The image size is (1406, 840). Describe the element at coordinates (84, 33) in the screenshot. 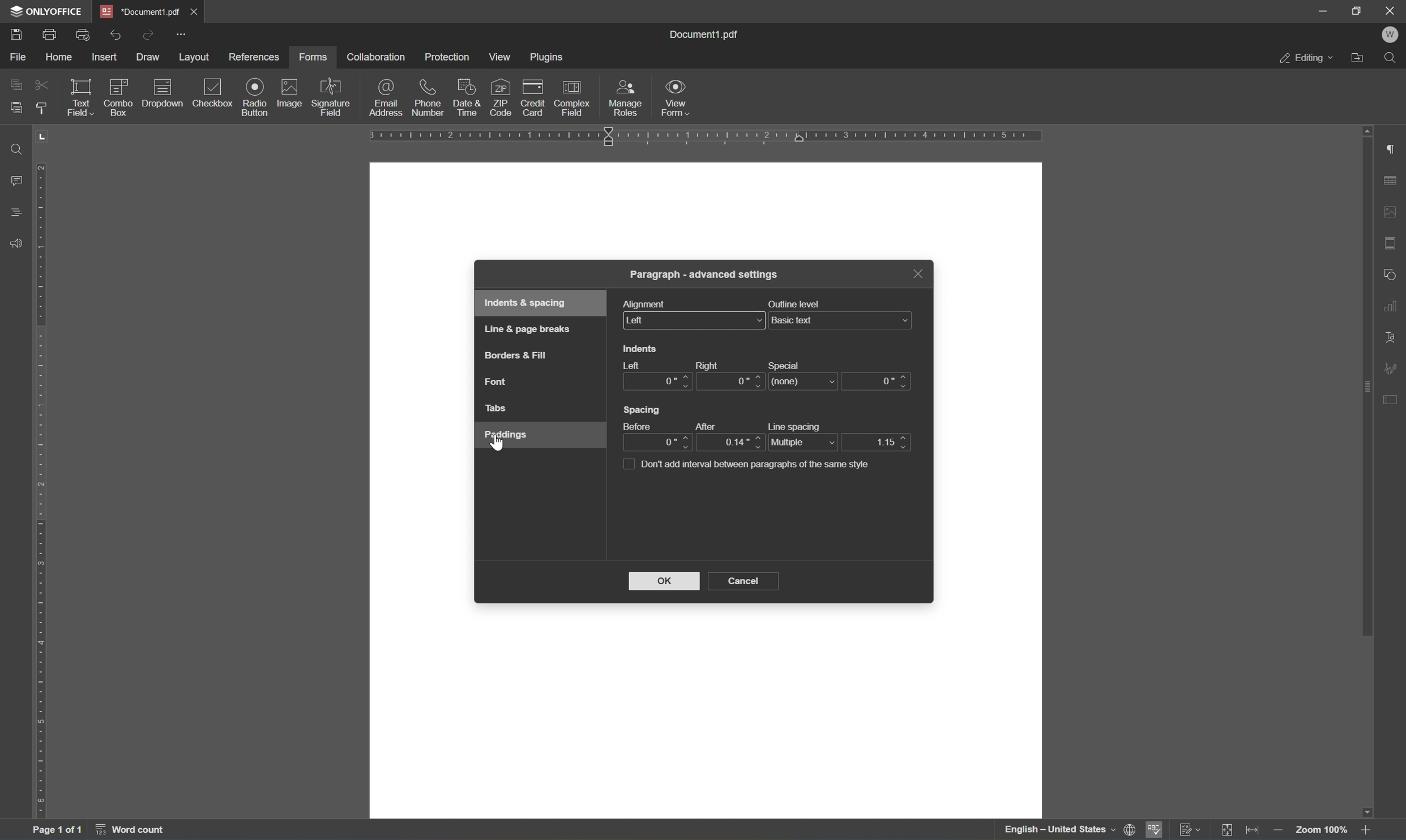

I see `print preview` at that location.